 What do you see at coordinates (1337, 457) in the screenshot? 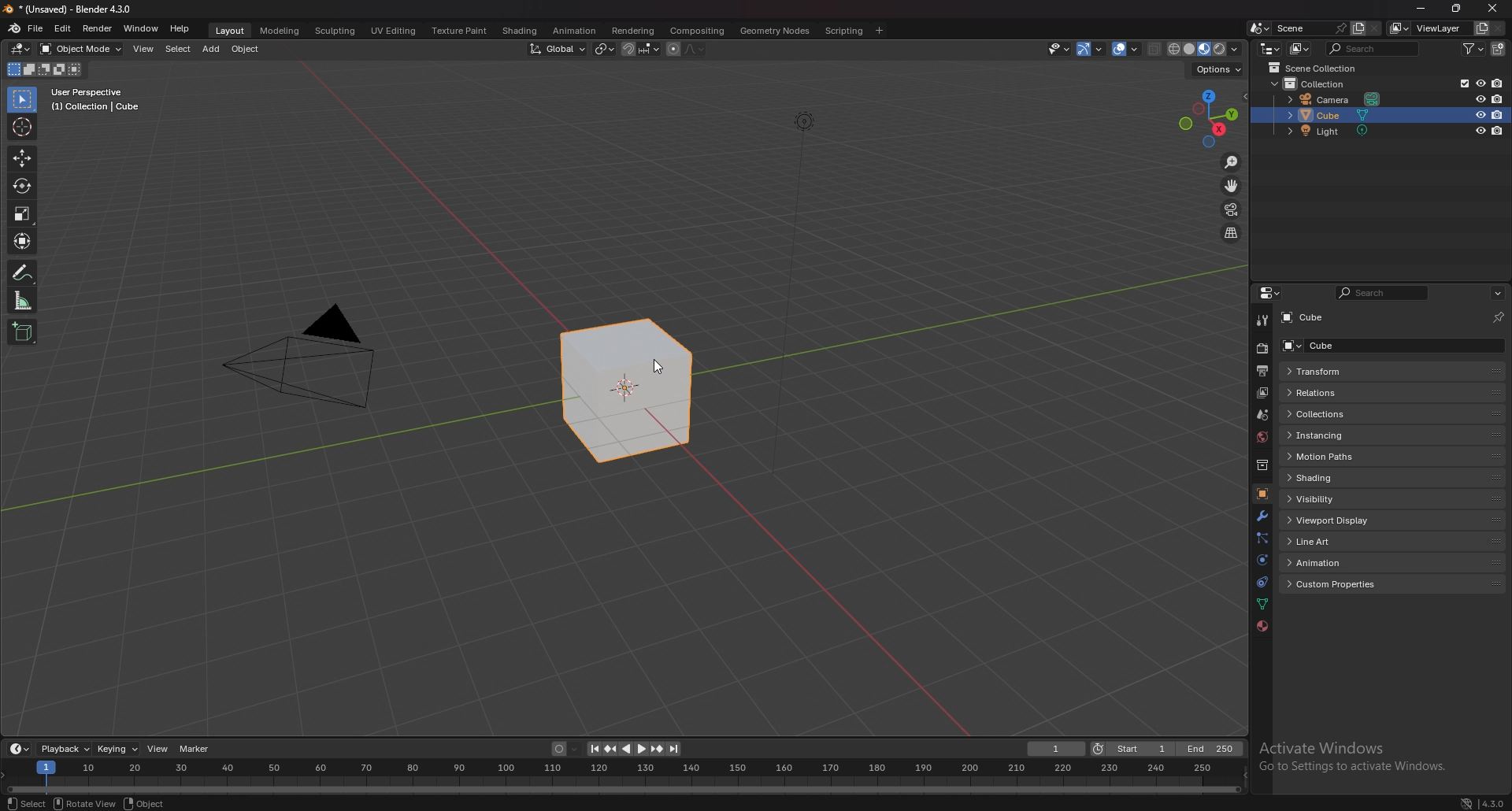
I see `motion paths` at bounding box center [1337, 457].